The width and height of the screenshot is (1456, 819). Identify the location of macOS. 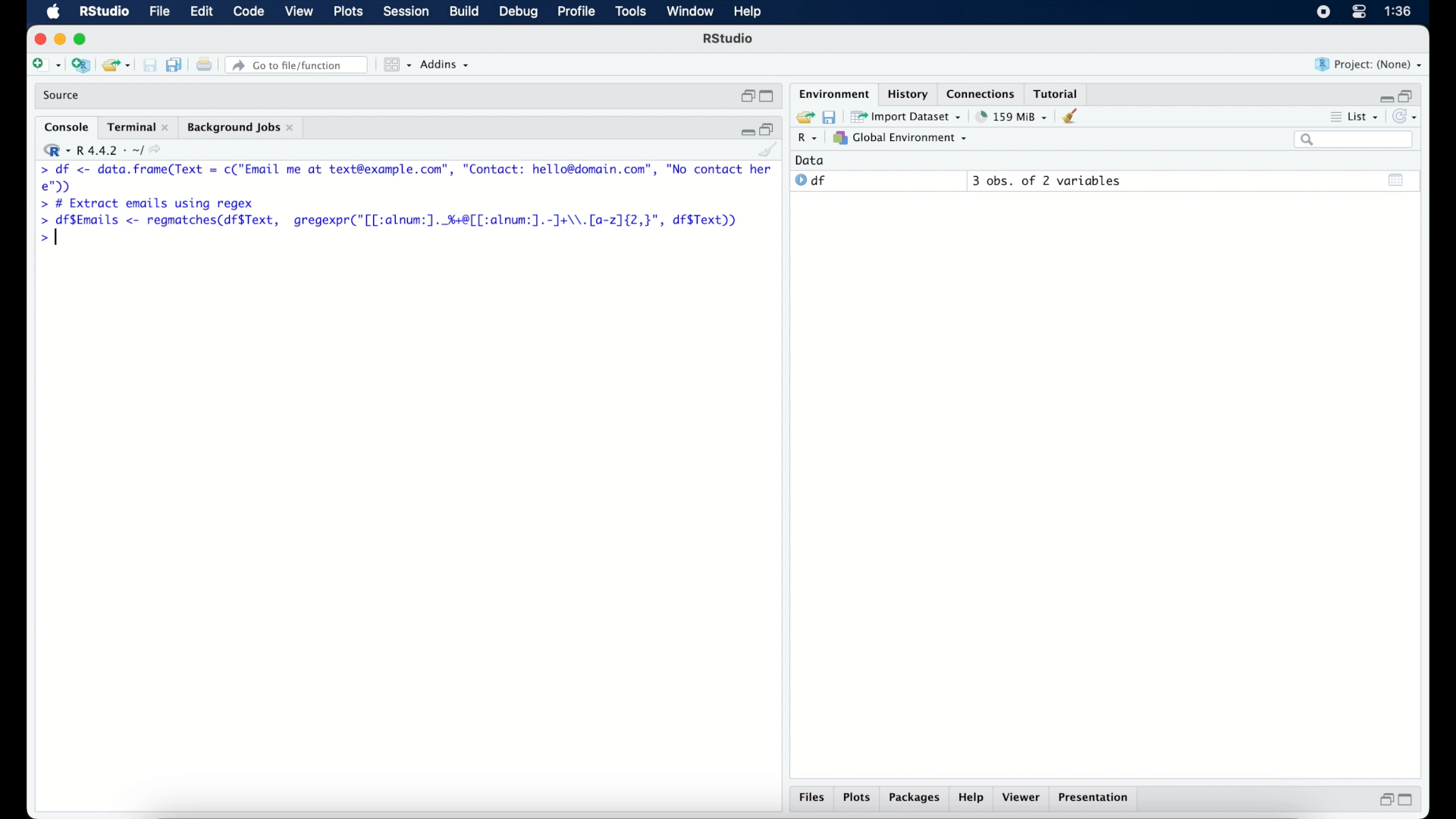
(54, 11).